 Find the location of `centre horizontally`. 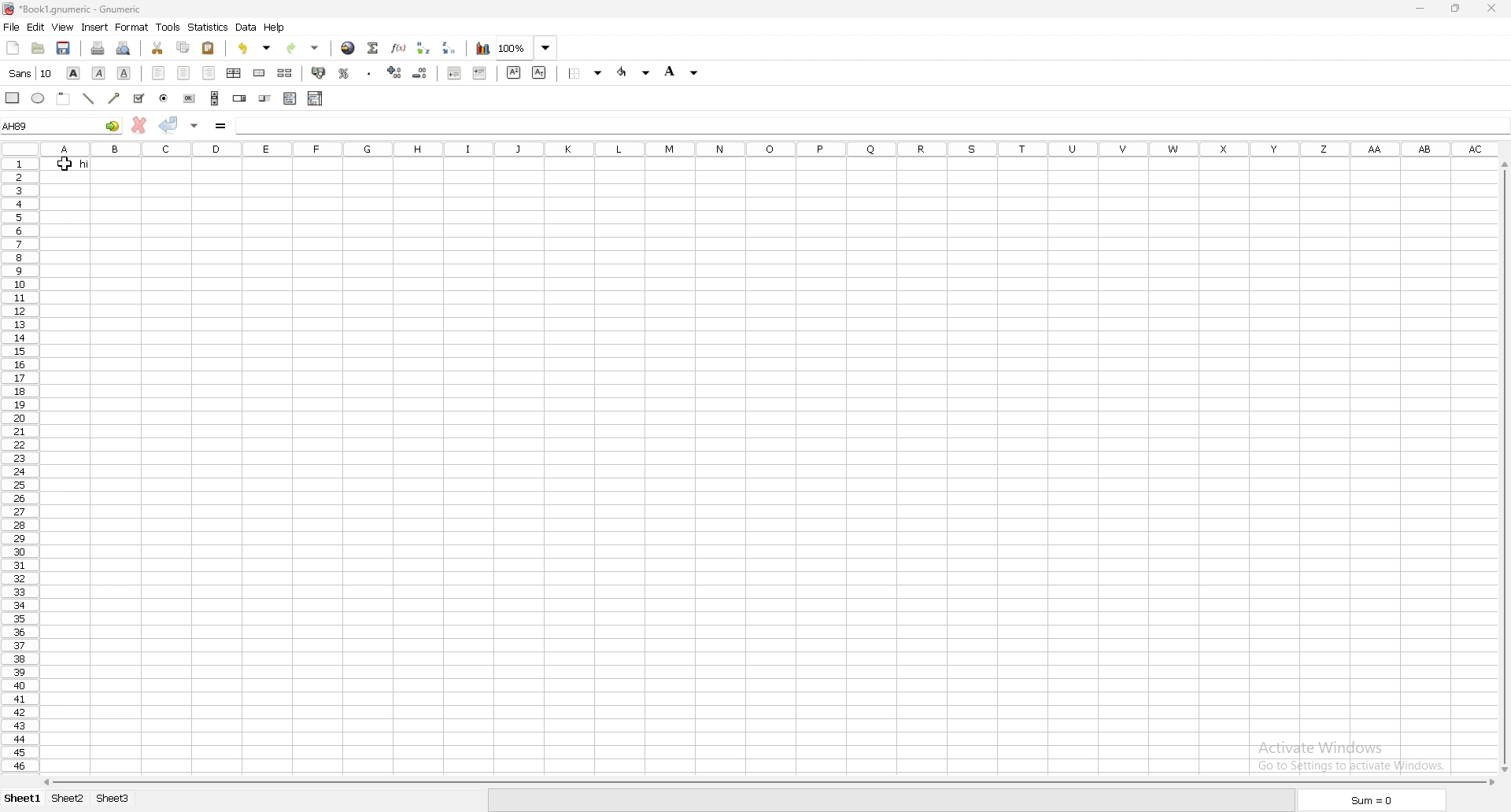

centre horizontally is located at coordinates (235, 74).